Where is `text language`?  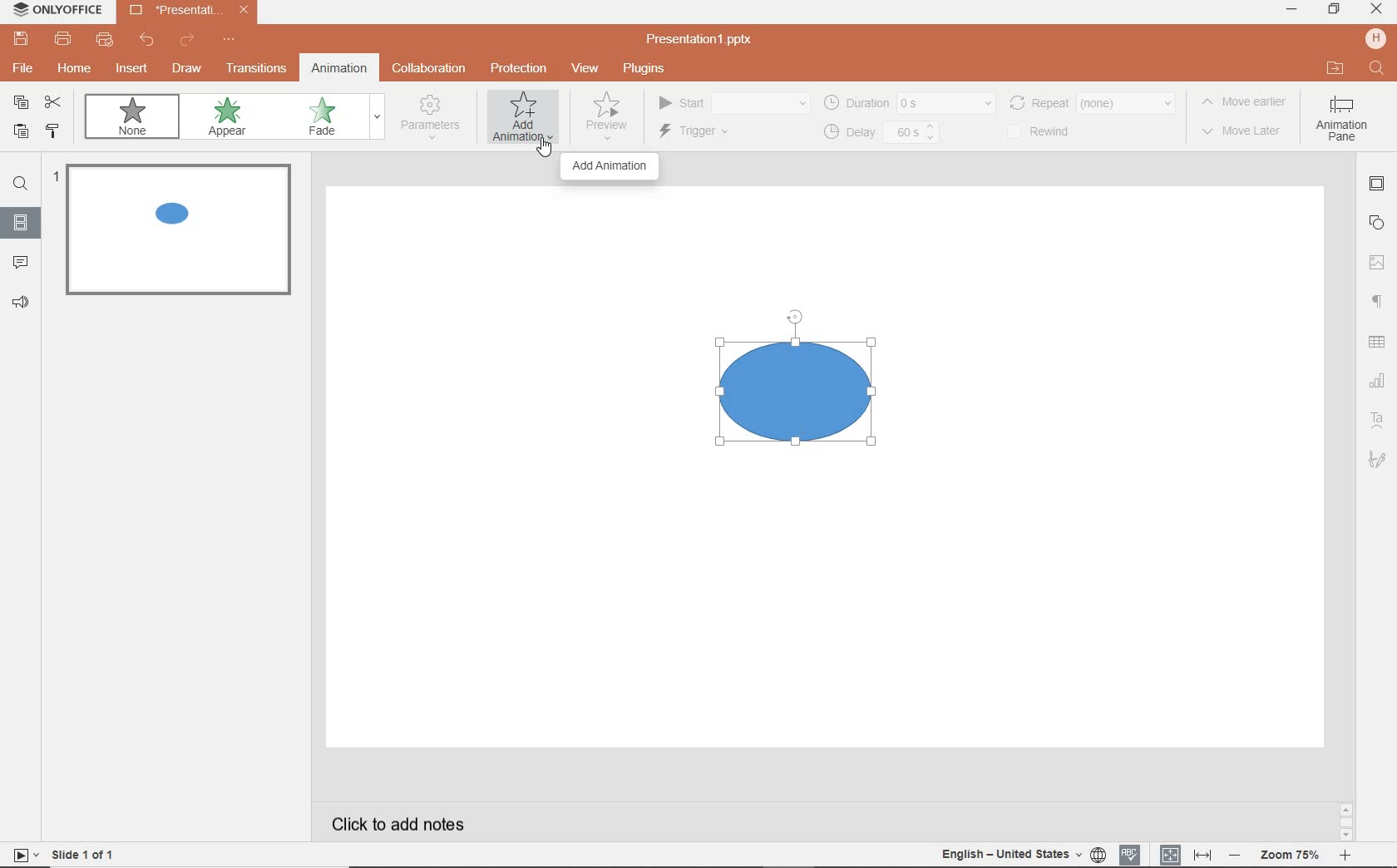
text language is located at coordinates (1019, 856).